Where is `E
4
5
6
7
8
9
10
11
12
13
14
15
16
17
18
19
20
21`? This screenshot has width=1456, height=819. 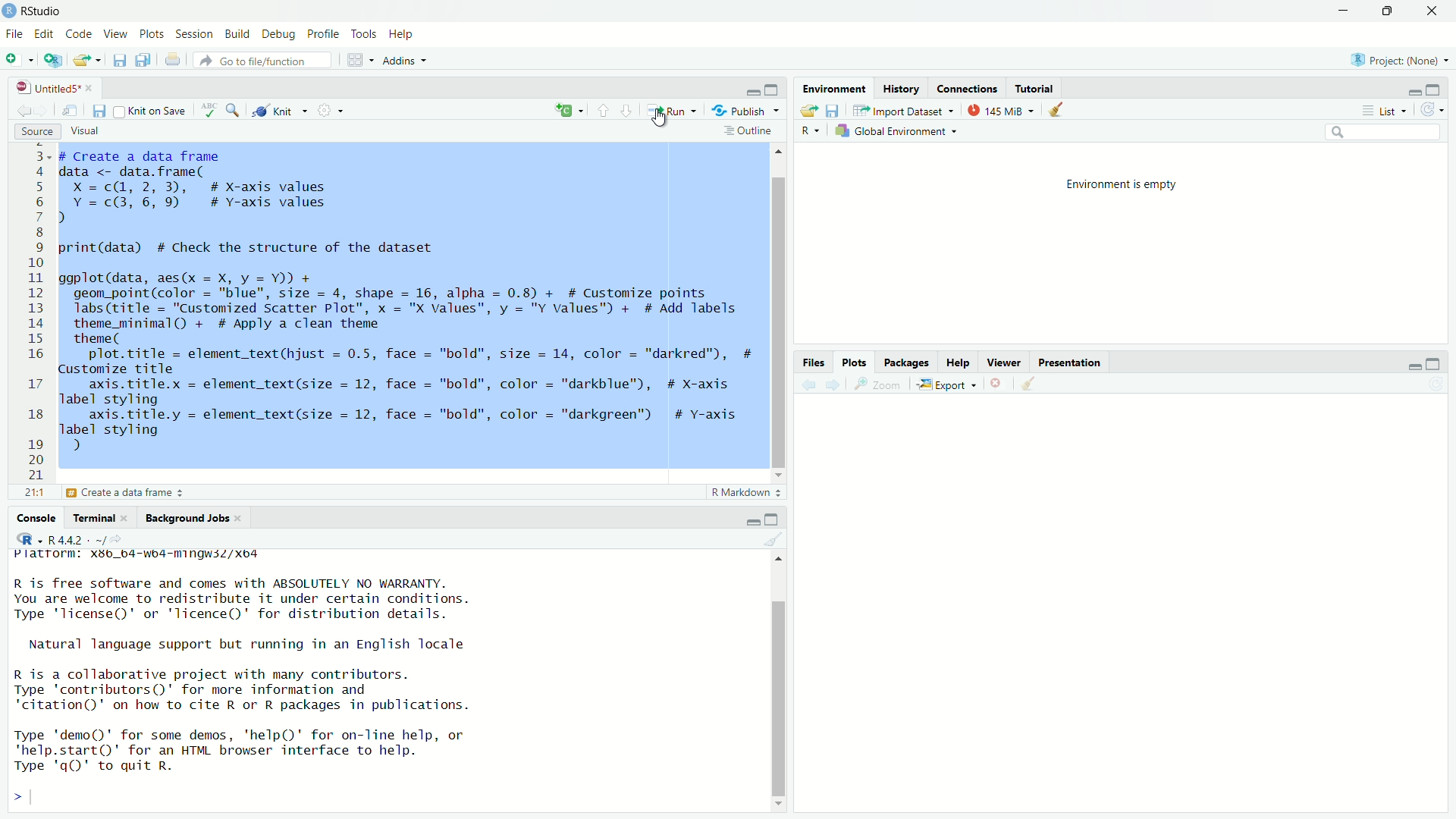 E
4
5
6
7
8
9
10
11
12
13
14
15
16
17
18
19
20
21 is located at coordinates (36, 312).